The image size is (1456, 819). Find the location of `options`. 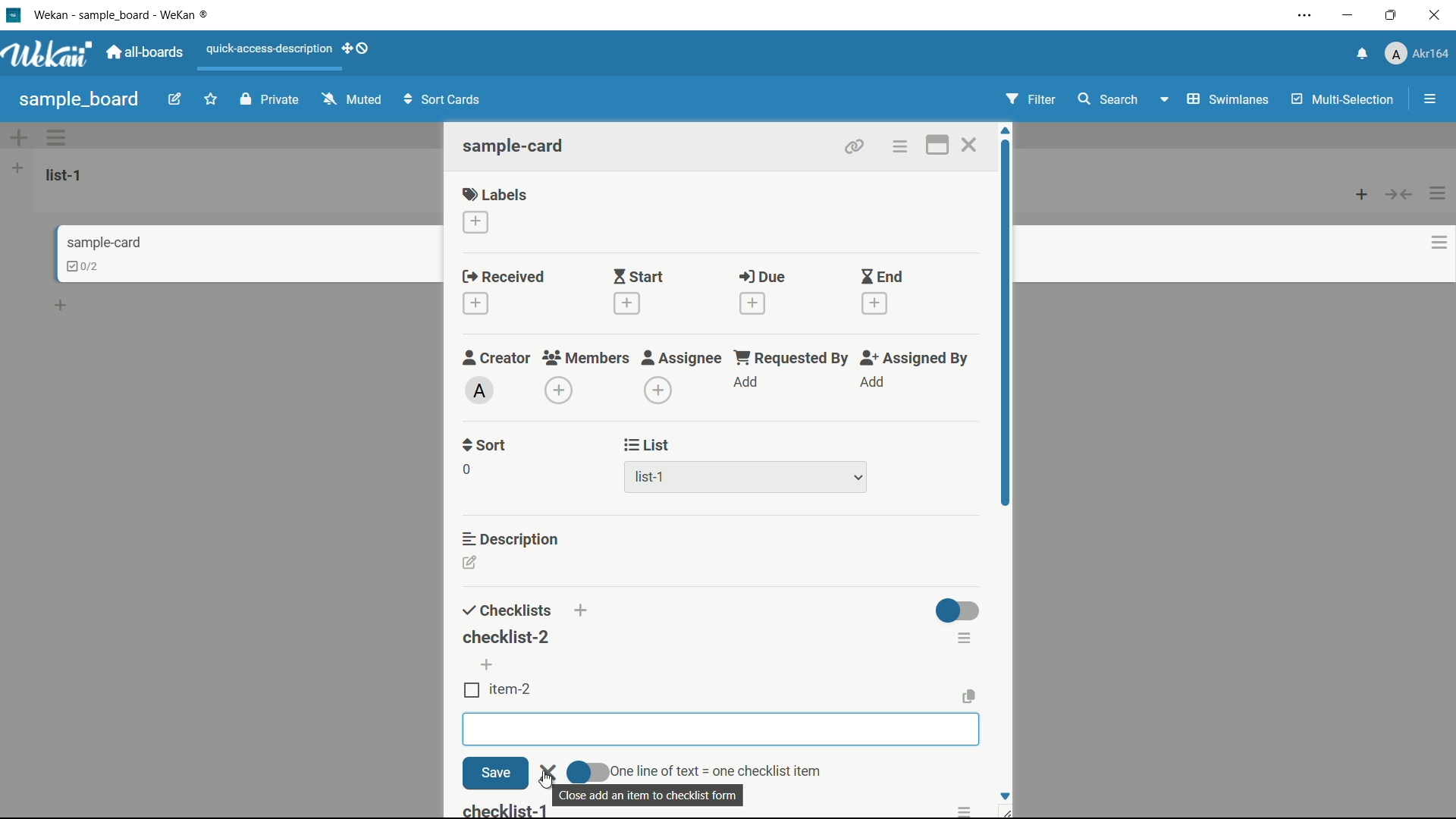

options is located at coordinates (967, 811).